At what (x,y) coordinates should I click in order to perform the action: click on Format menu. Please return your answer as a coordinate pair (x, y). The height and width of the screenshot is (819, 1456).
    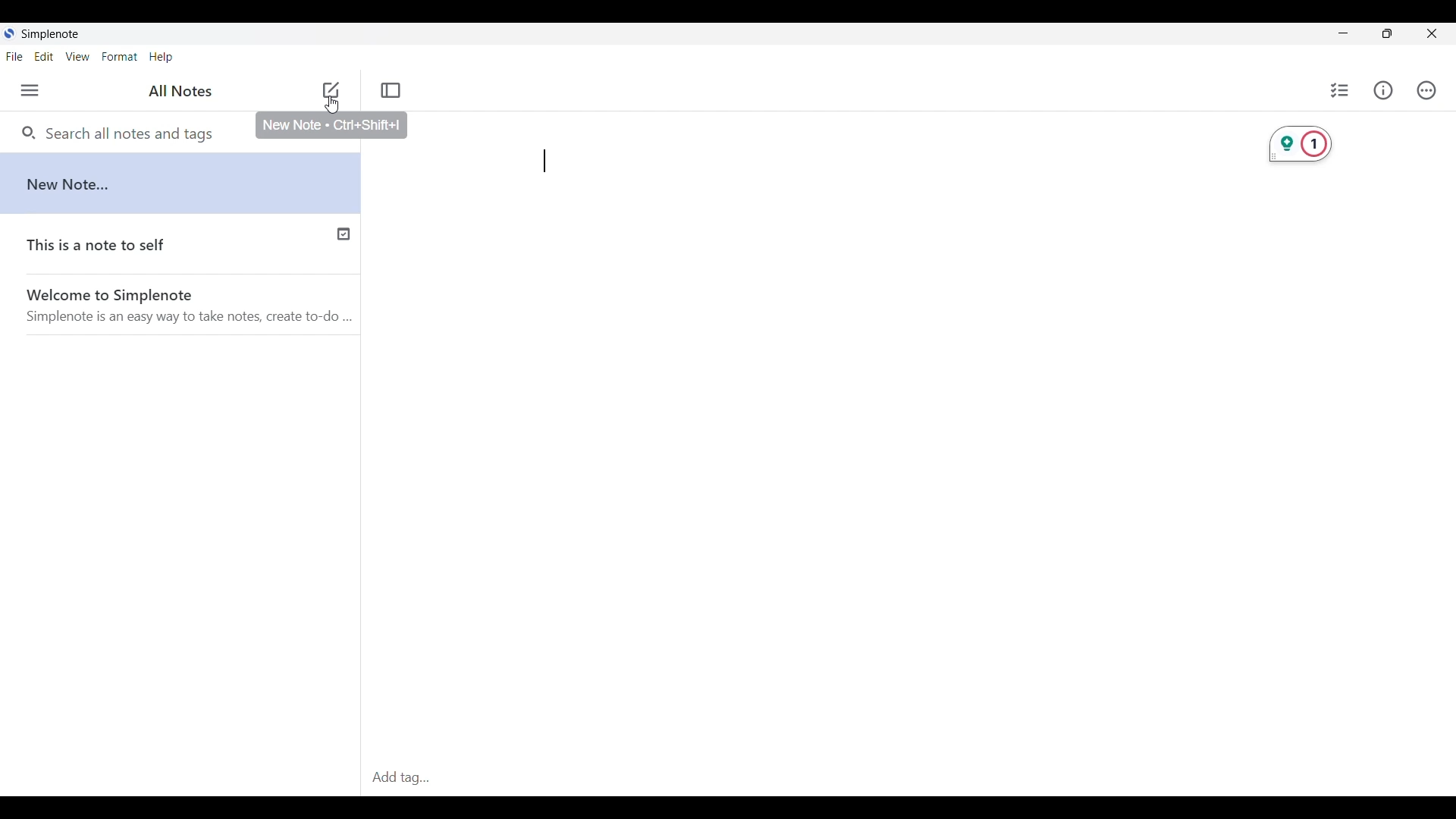
    Looking at the image, I should click on (119, 56).